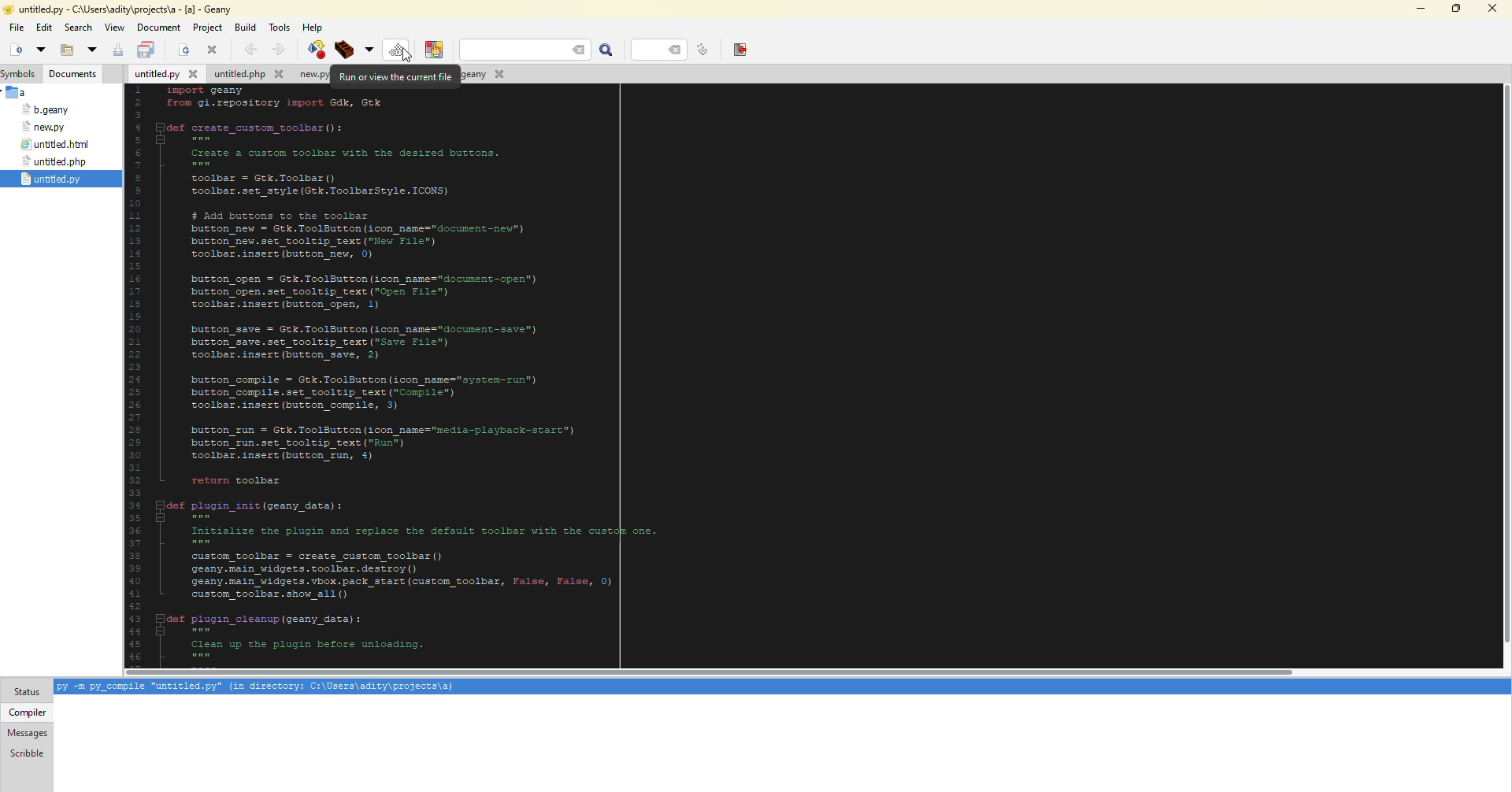 The height and width of the screenshot is (792, 1512). I want to click on minimize, so click(1421, 9).